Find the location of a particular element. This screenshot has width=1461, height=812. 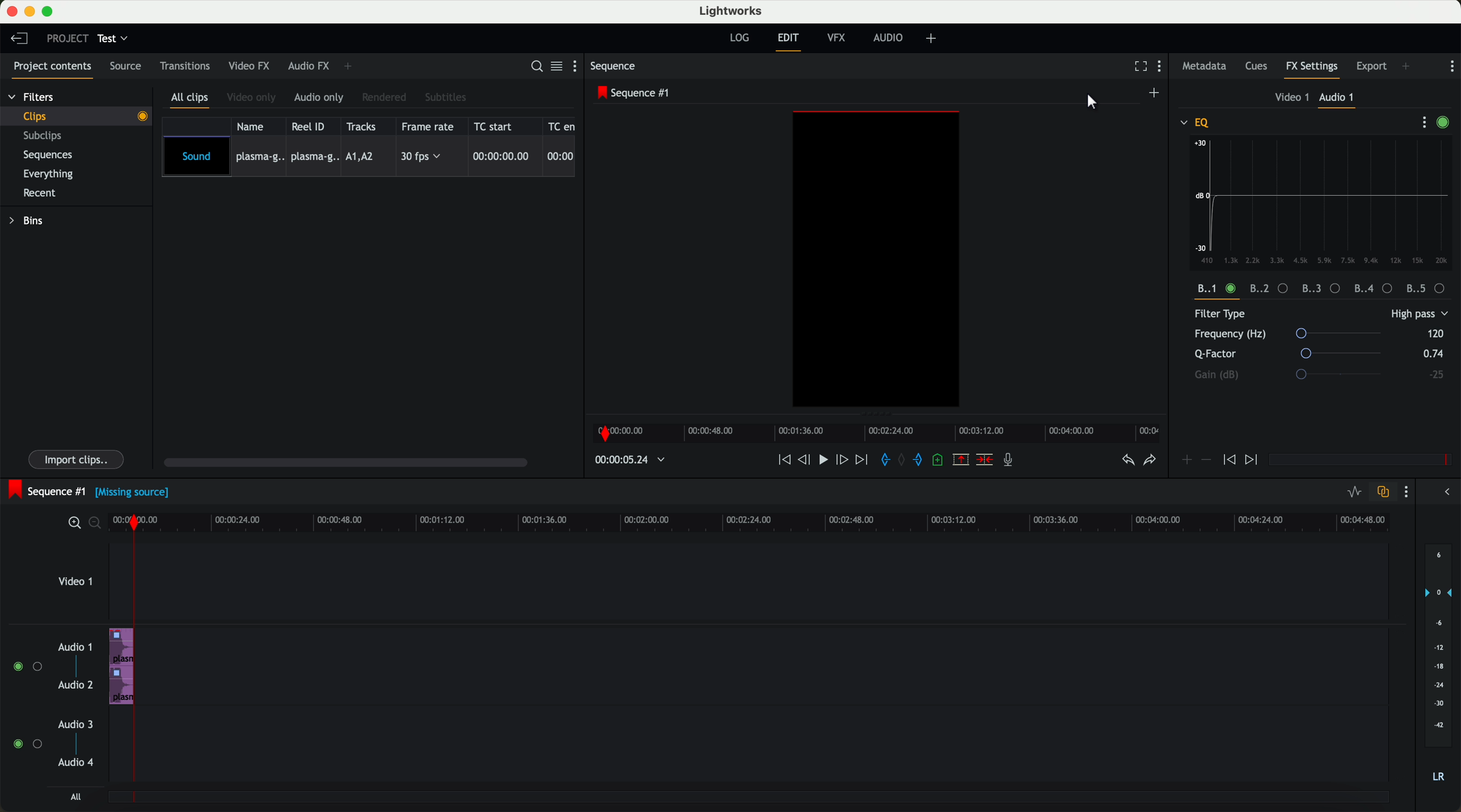

nudge one frame foward is located at coordinates (844, 459).